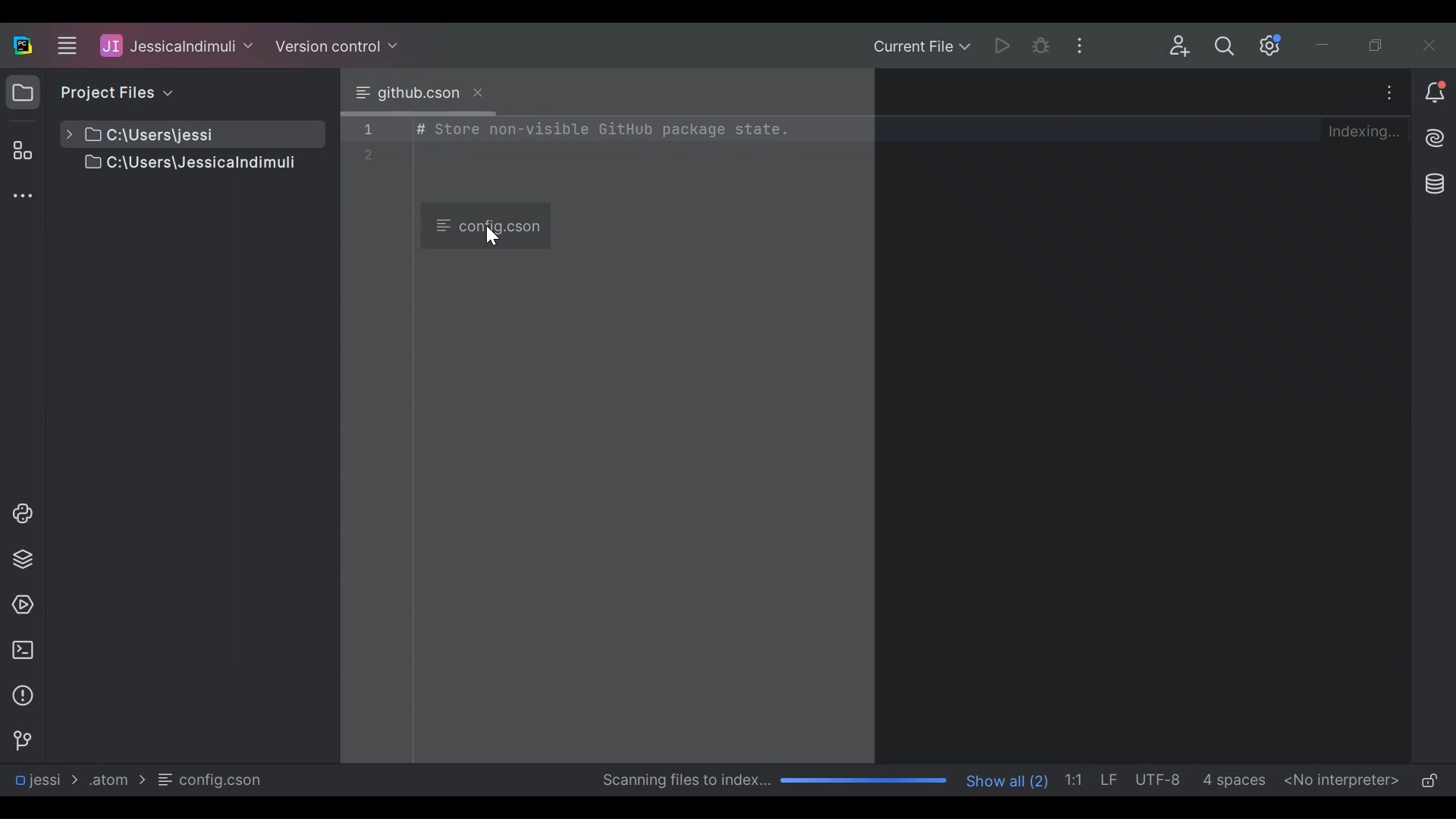 The width and height of the screenshot is (1456, 819). Describe the element at coordinates (22, 513) in the screenshot. I see `Python Console` at that location.